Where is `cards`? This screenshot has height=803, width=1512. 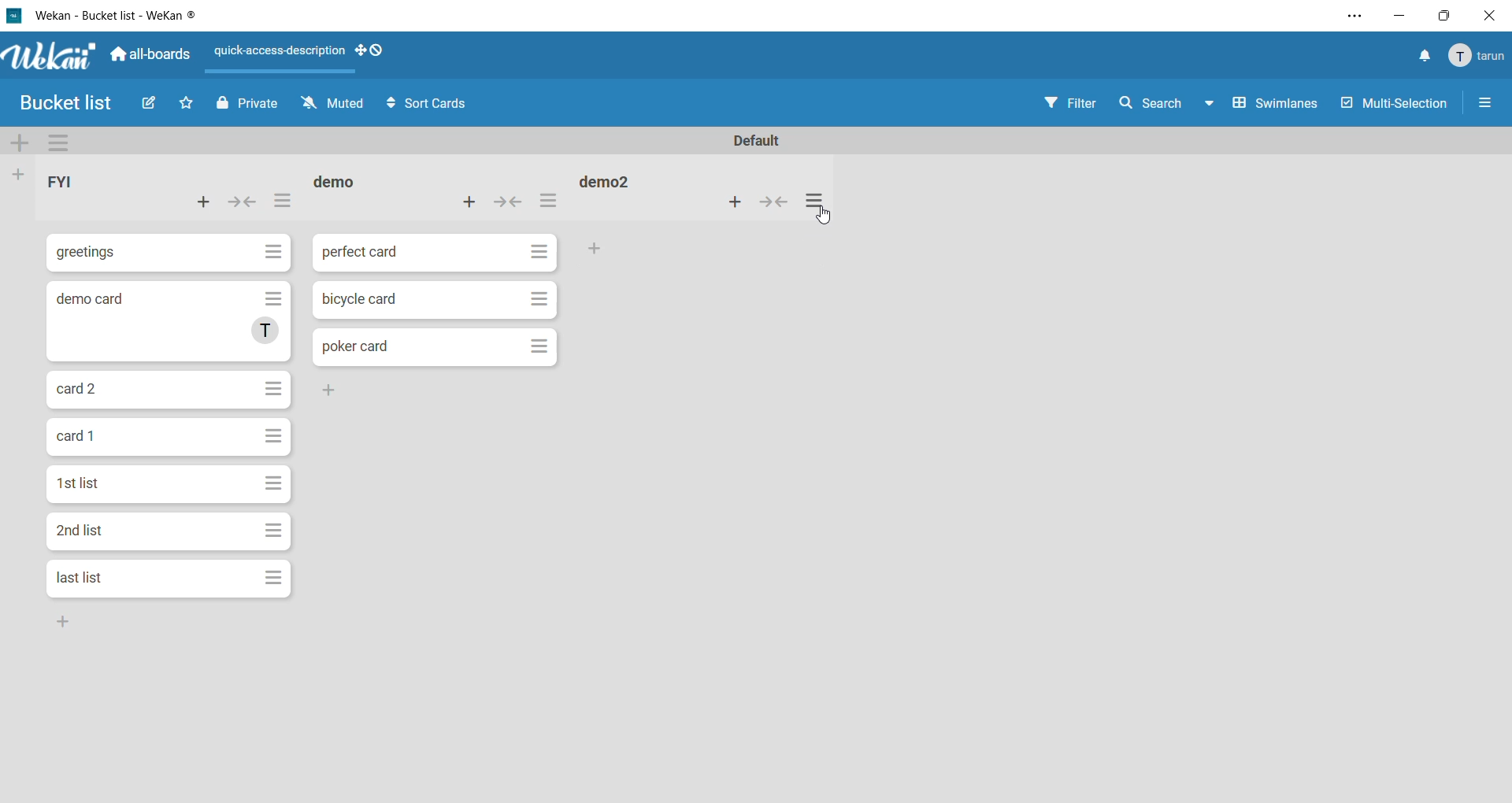
cards is located at coordinates (435, 253).